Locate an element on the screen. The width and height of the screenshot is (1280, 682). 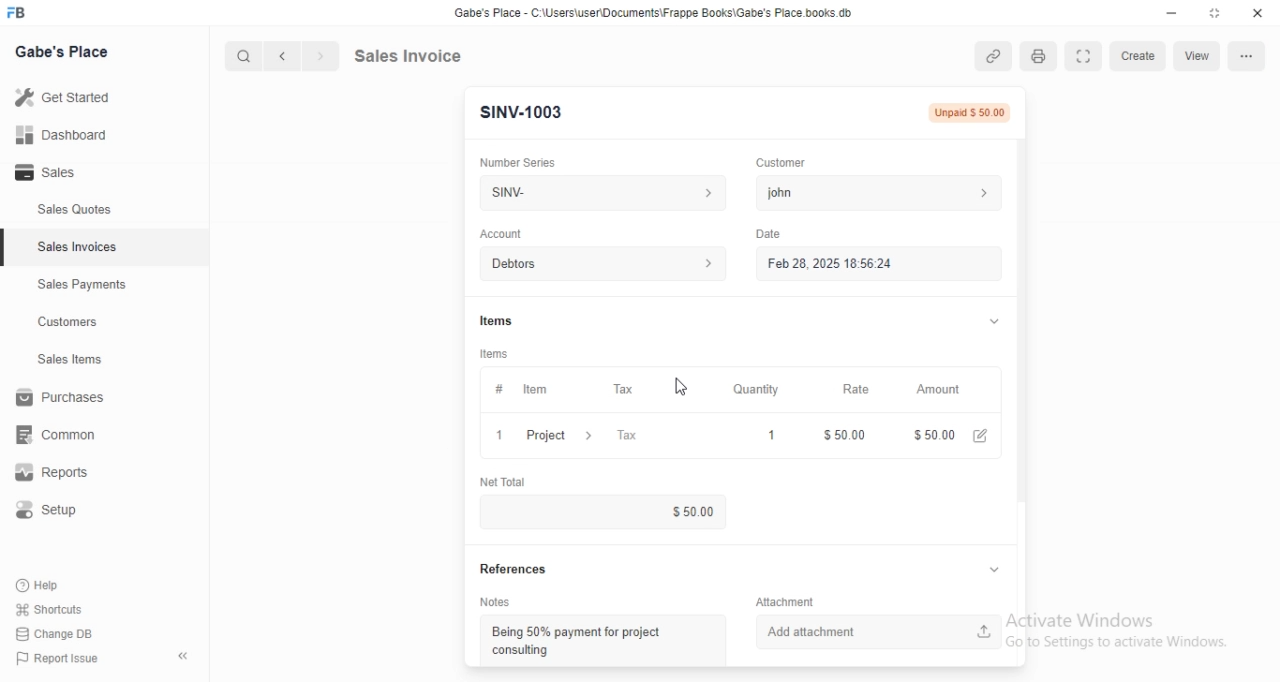
Rate is located at coordinates (853, 389).